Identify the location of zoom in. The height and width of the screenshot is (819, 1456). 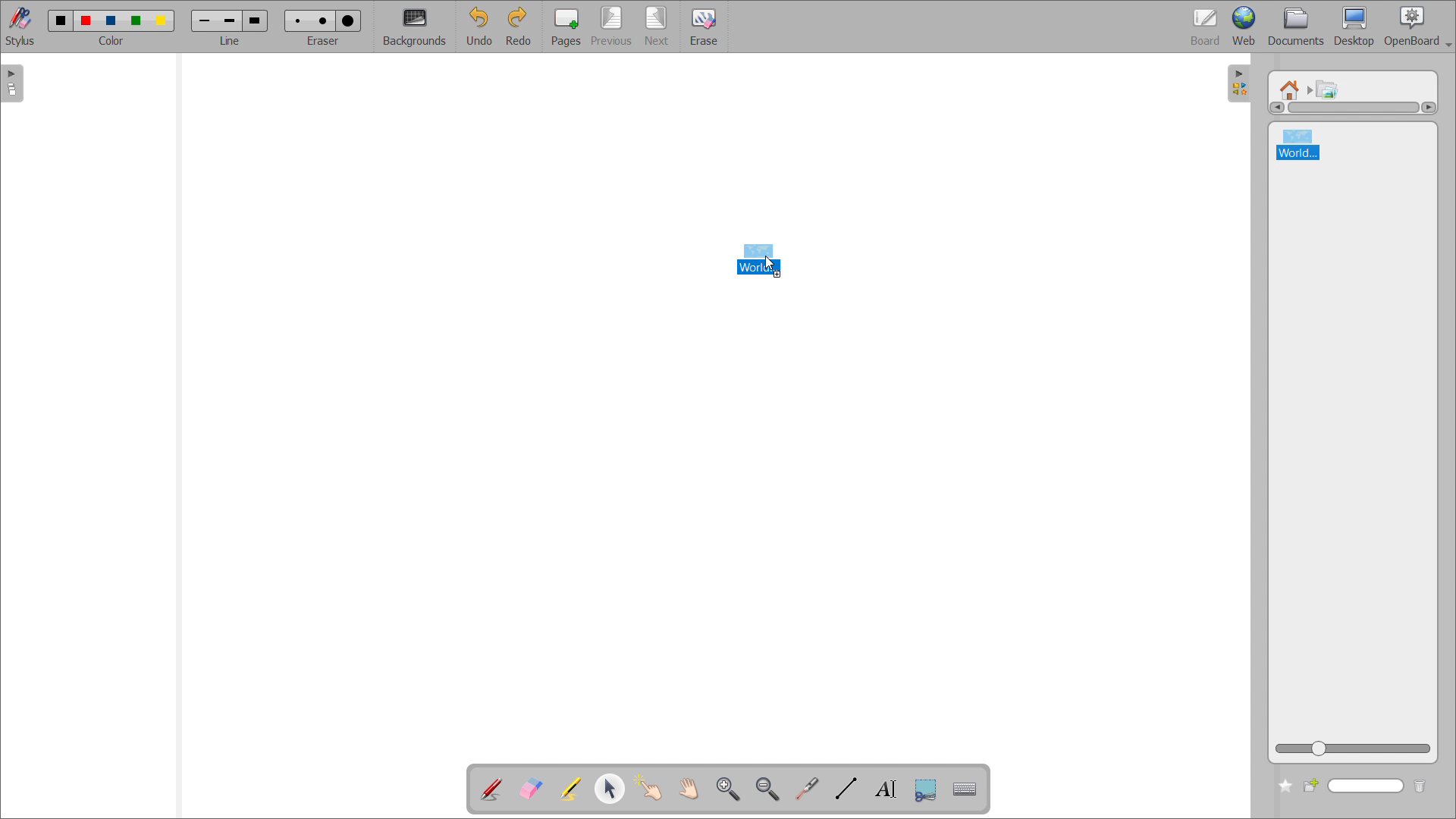
(730, 789).